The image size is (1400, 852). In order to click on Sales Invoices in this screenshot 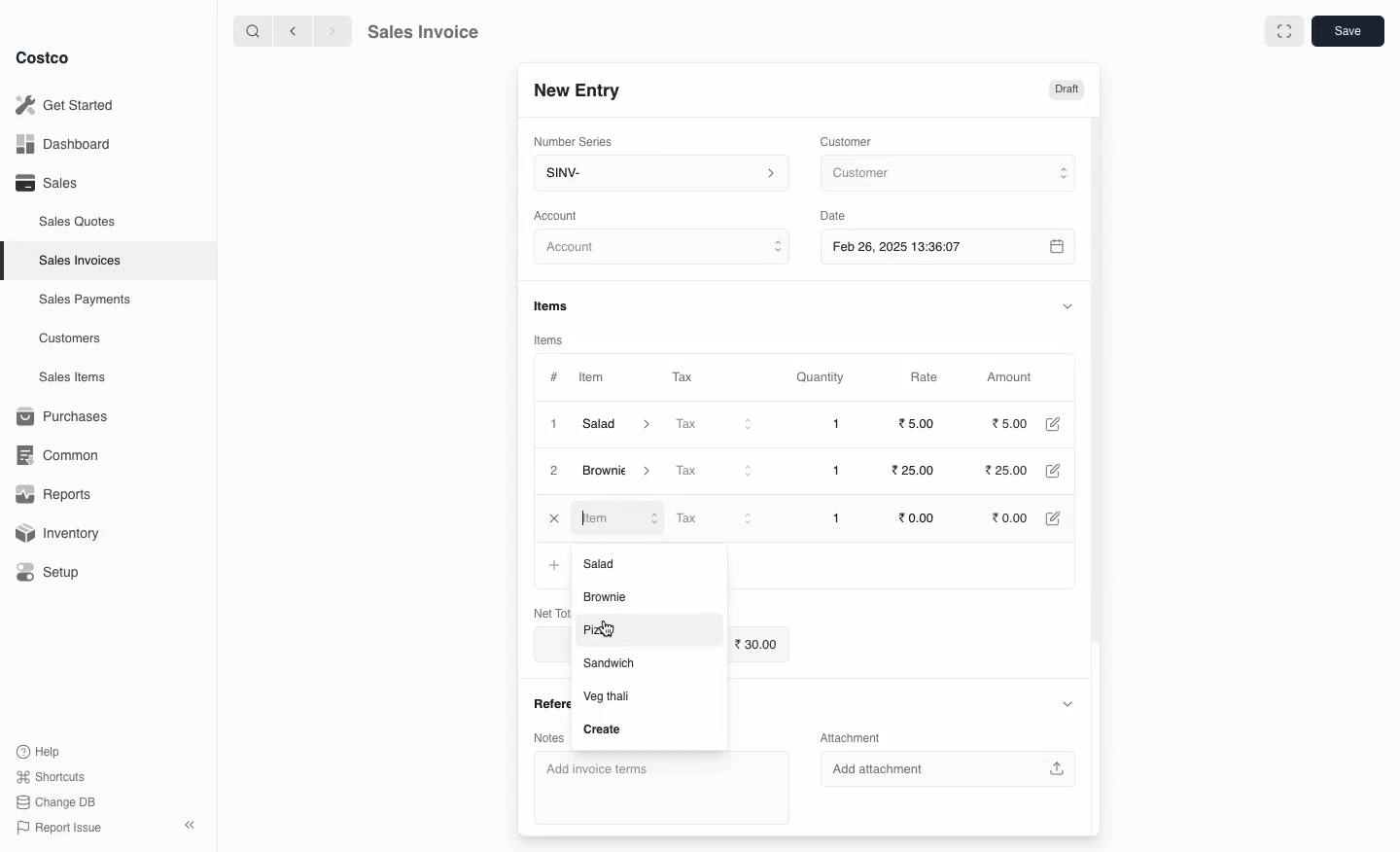, I will do `click(81, 261)`.